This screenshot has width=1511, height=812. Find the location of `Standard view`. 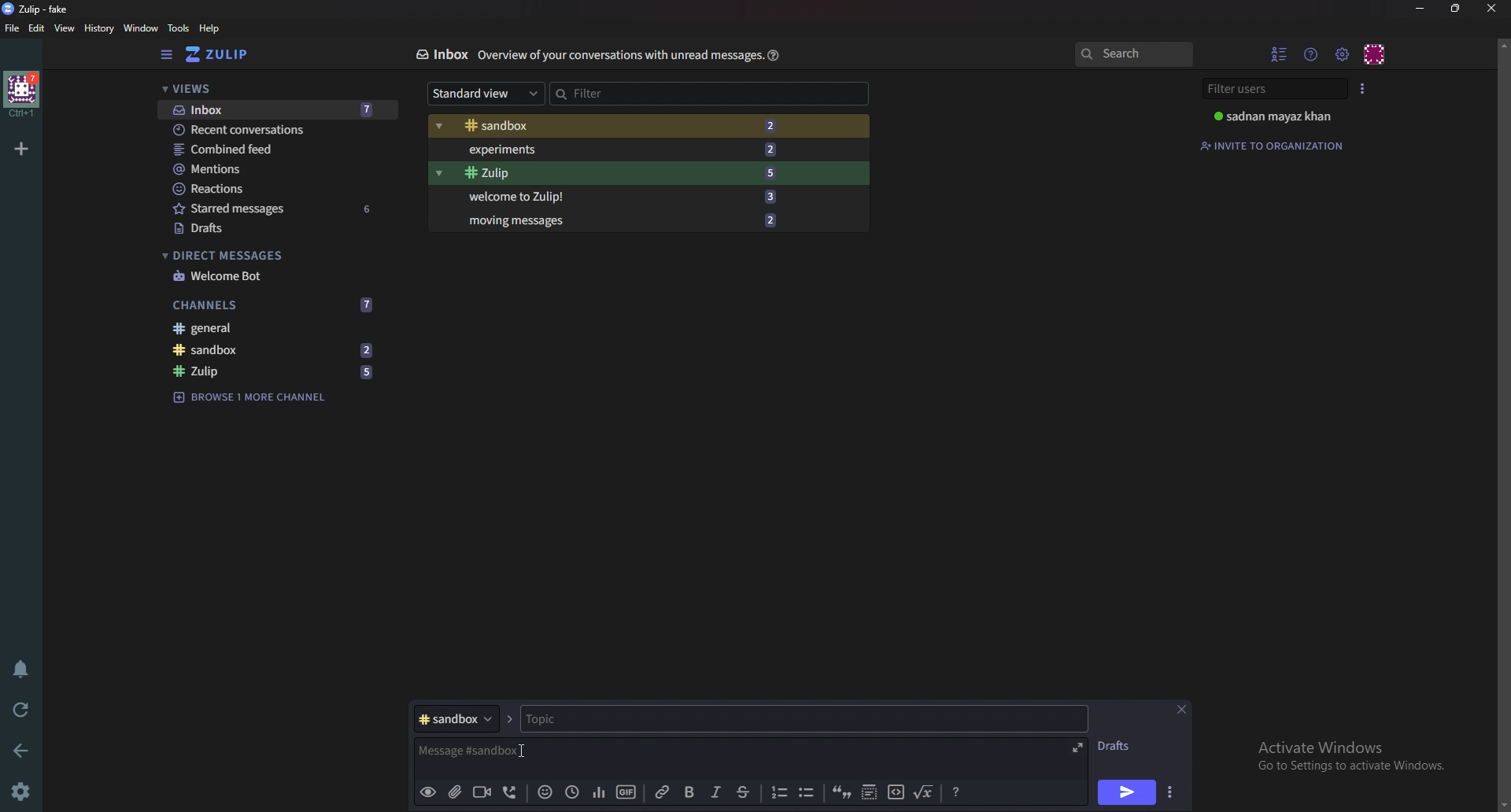

Standard view is located at coordinates (481, 94).